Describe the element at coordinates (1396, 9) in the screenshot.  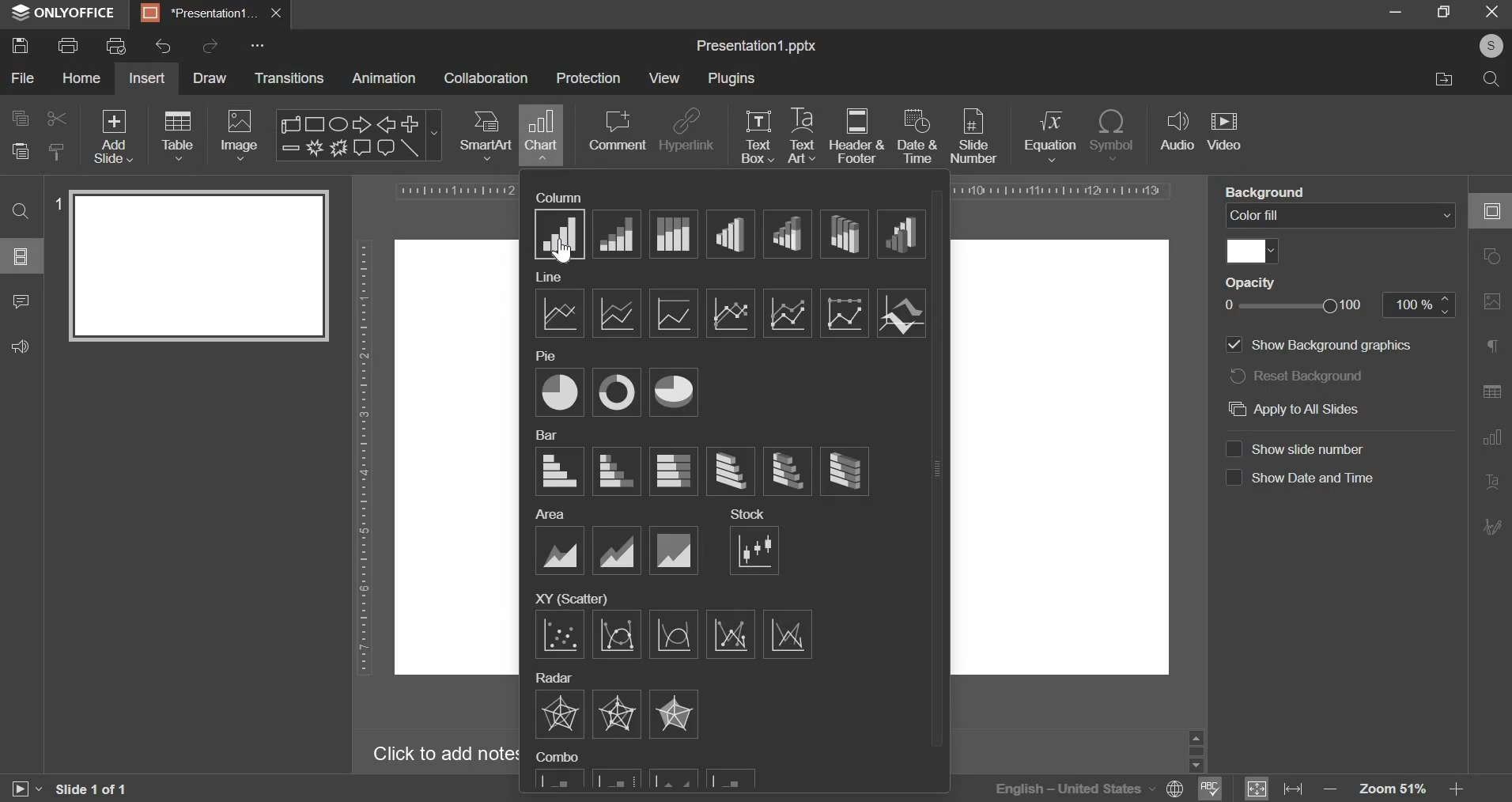
I see `minimize` at that location.